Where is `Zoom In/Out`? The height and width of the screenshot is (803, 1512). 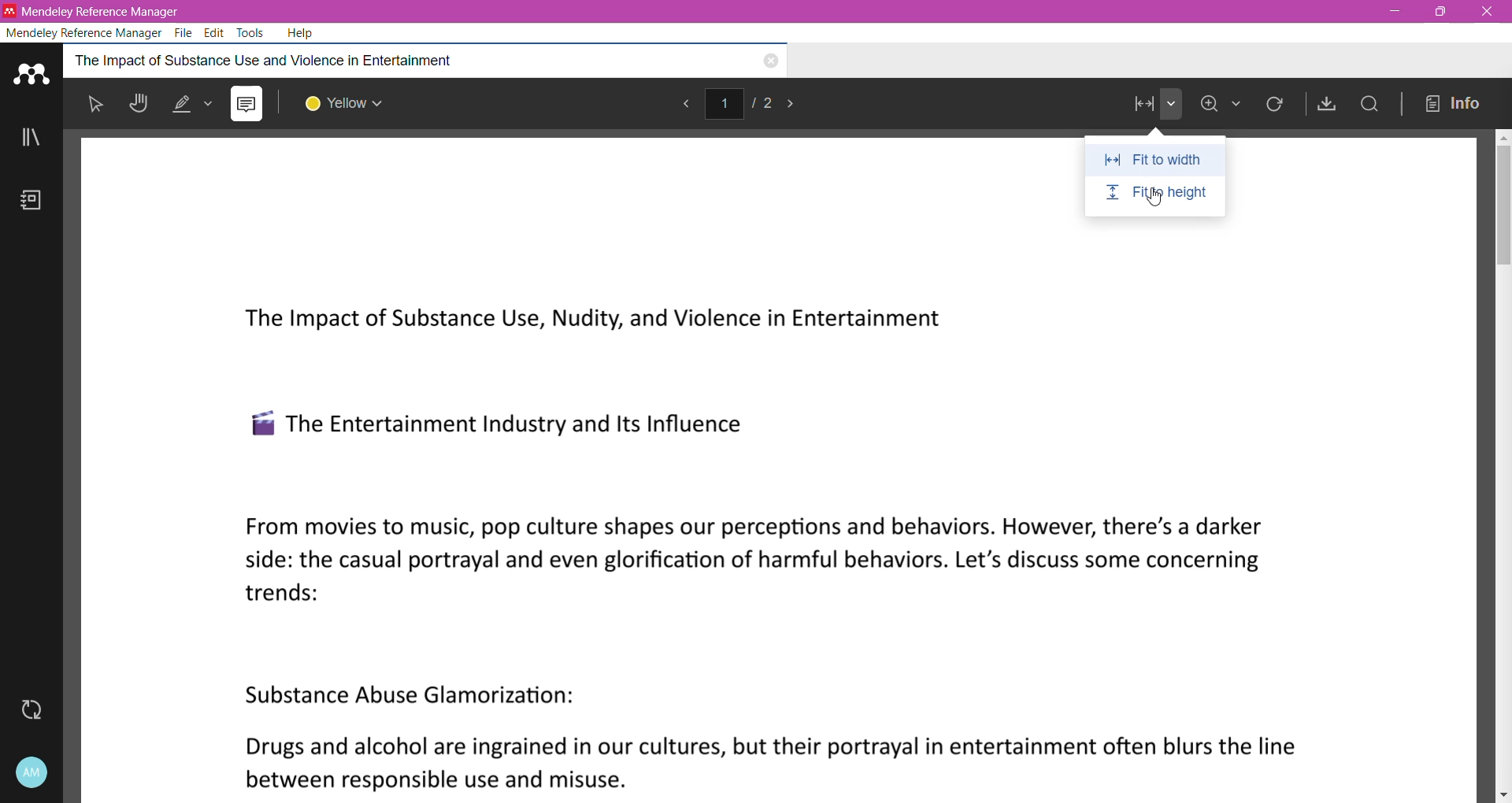 Zoom In/Out is located at coordinates (1227, 105).